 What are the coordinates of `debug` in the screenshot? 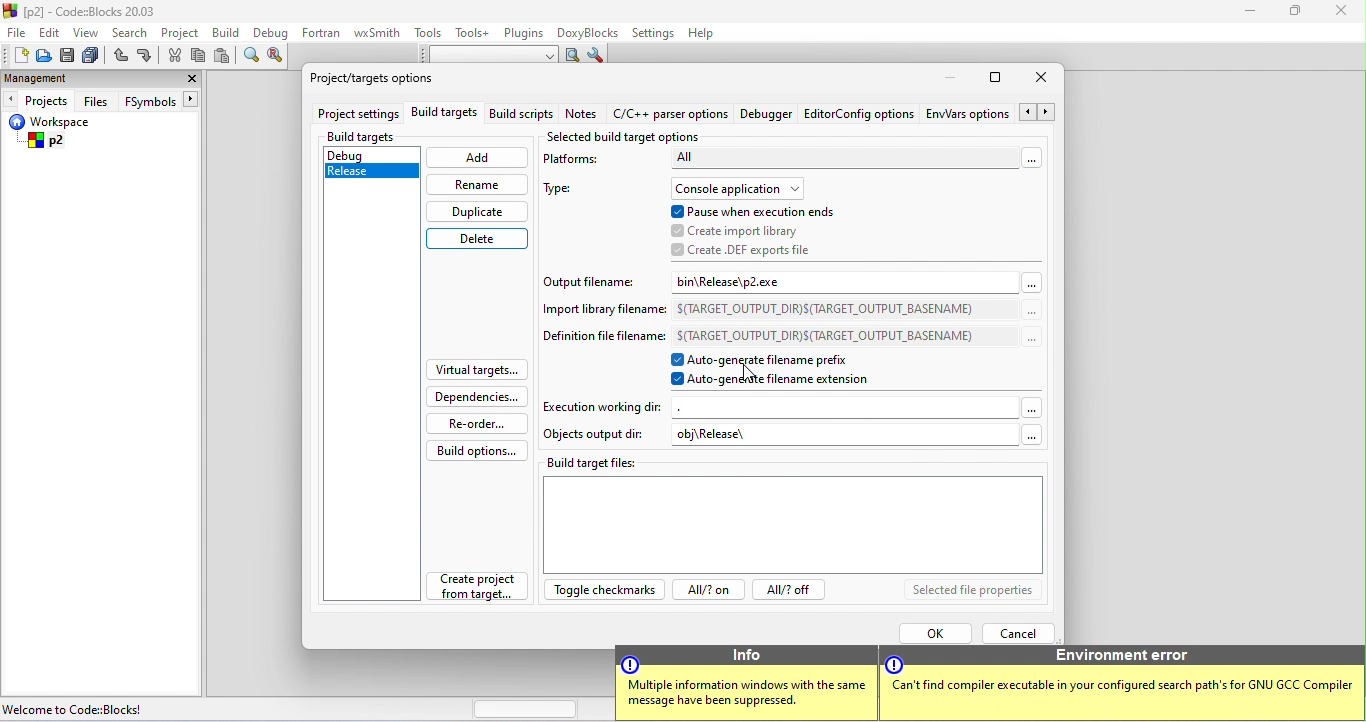 It's located at (365, 153).